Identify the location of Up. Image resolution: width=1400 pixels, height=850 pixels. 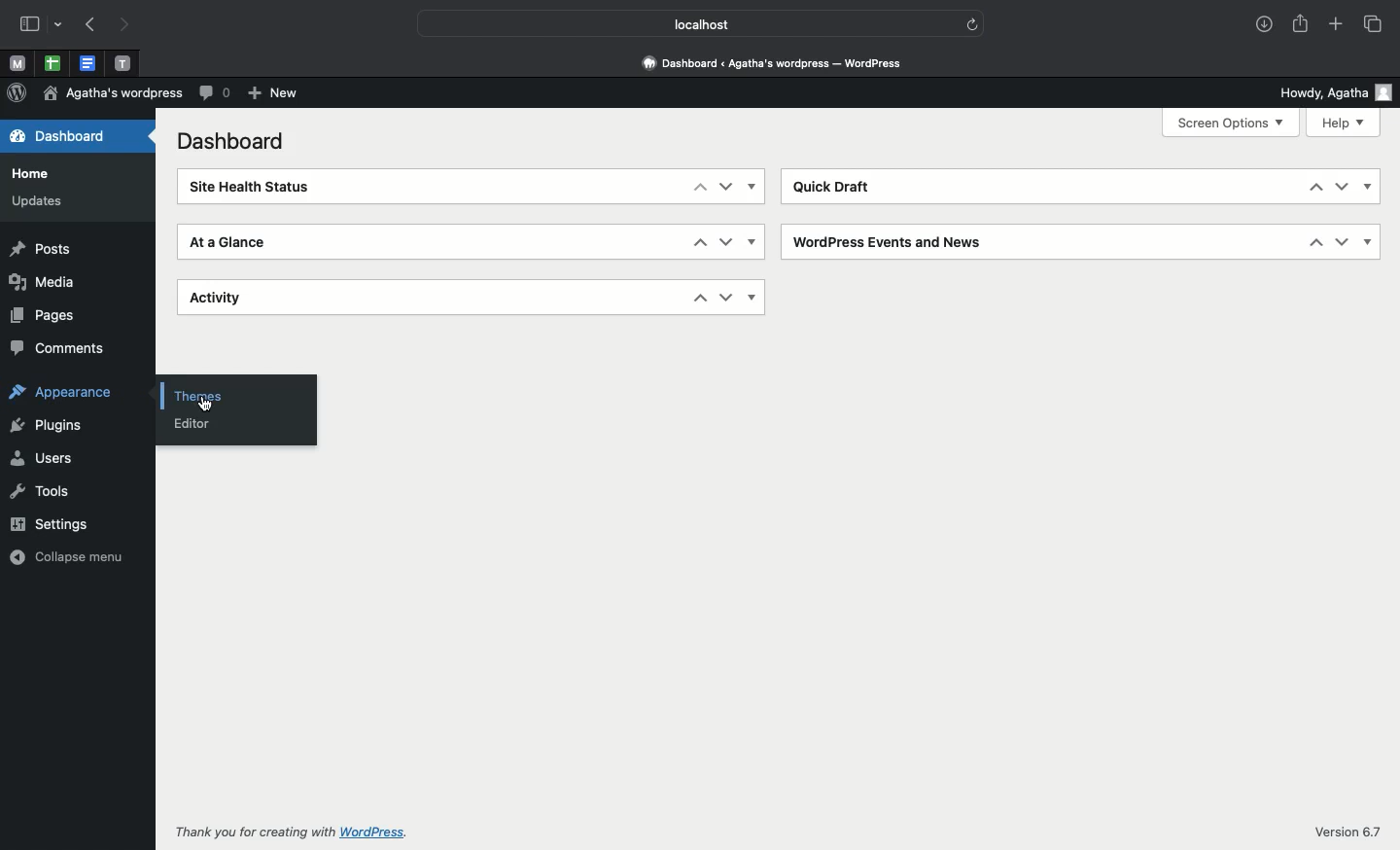
(699, 190).